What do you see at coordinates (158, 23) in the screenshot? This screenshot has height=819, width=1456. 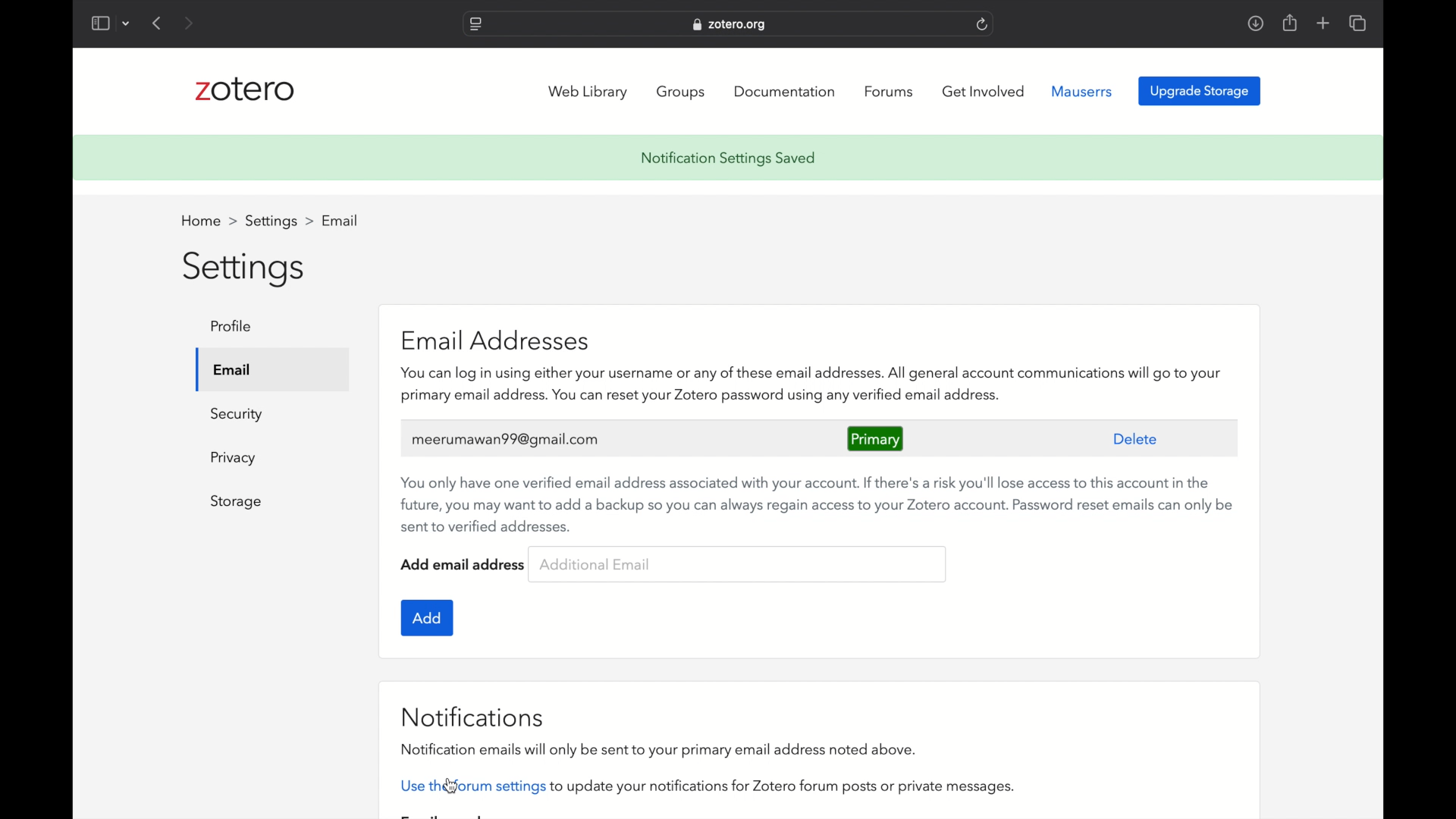 I see `previous` at bounding box center [158, 23].